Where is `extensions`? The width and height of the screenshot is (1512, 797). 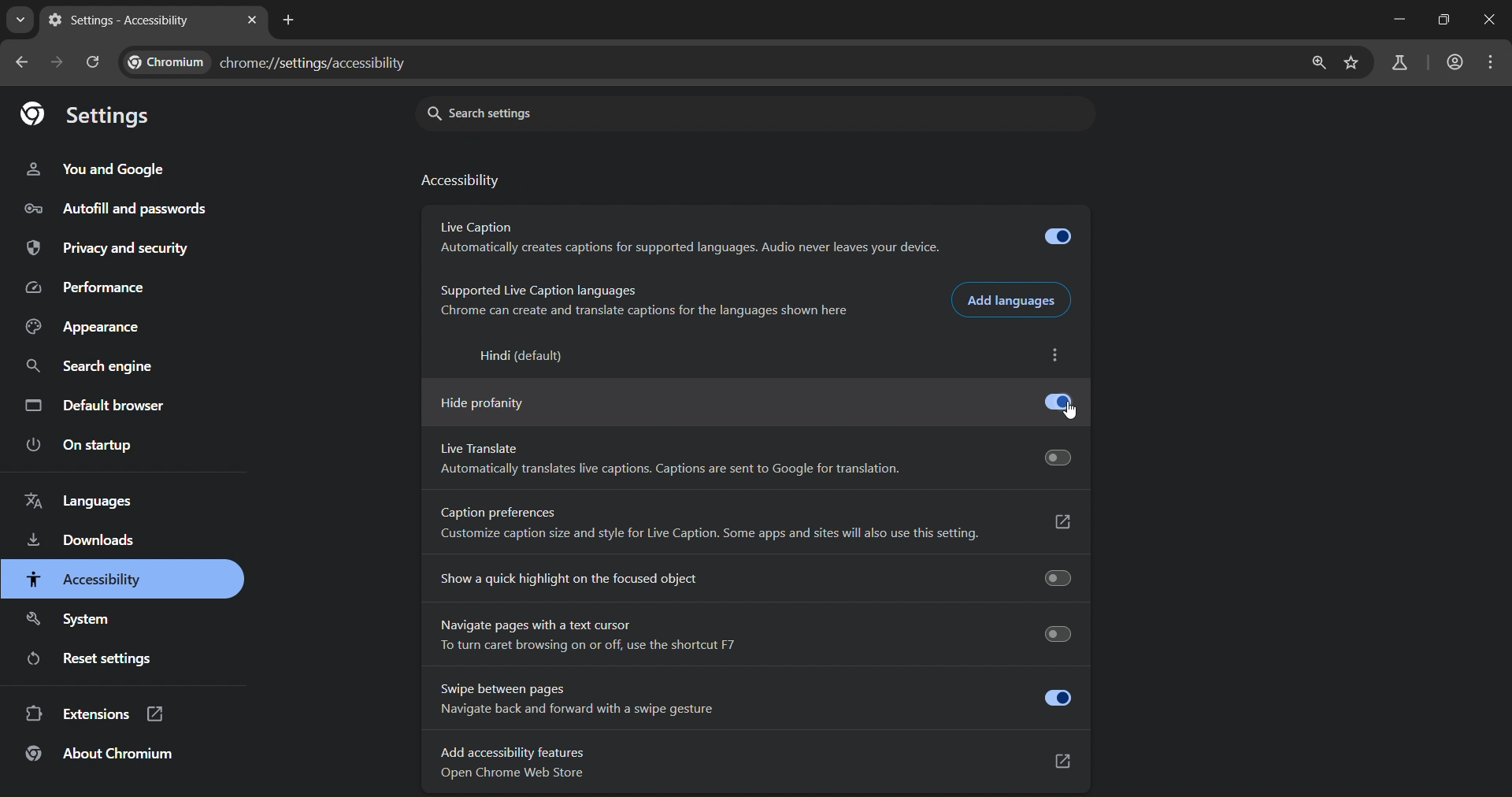
extensions is located at coordinates (94, 714).